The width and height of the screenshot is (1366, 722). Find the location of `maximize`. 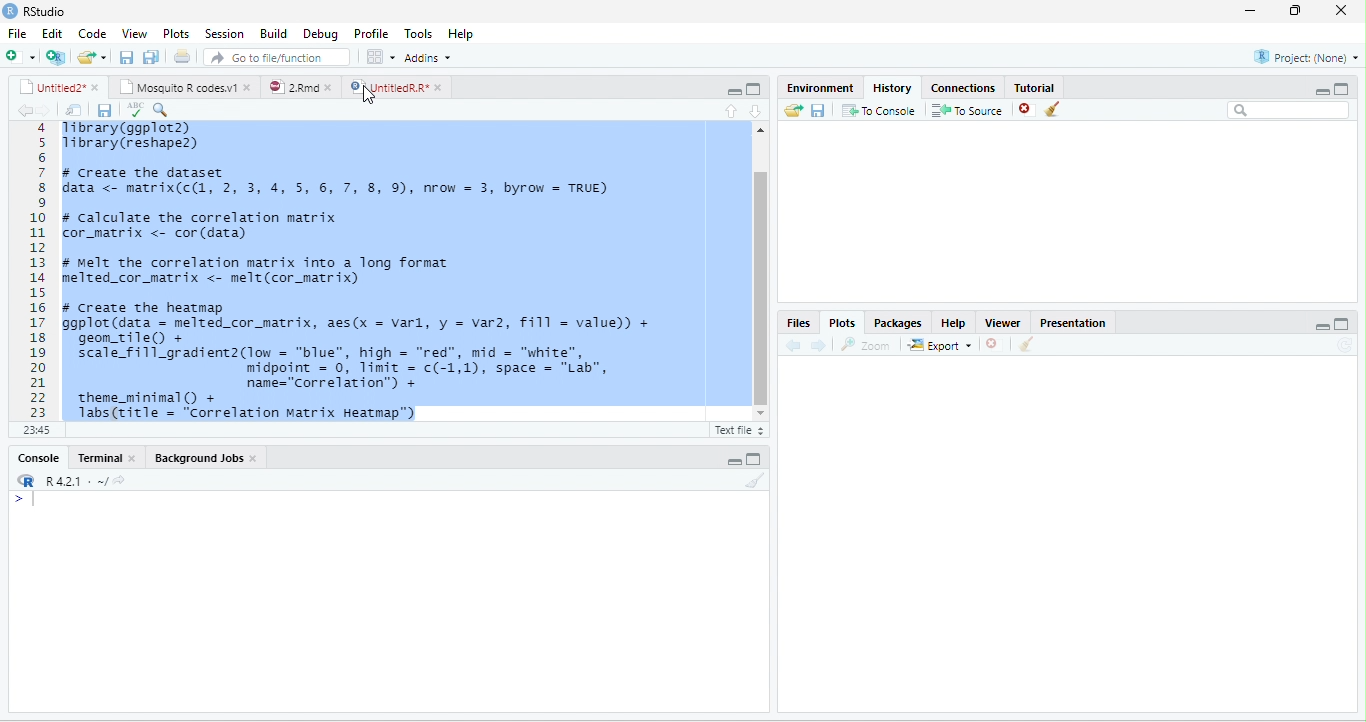

maximize is located at coordinates (1299, 11).